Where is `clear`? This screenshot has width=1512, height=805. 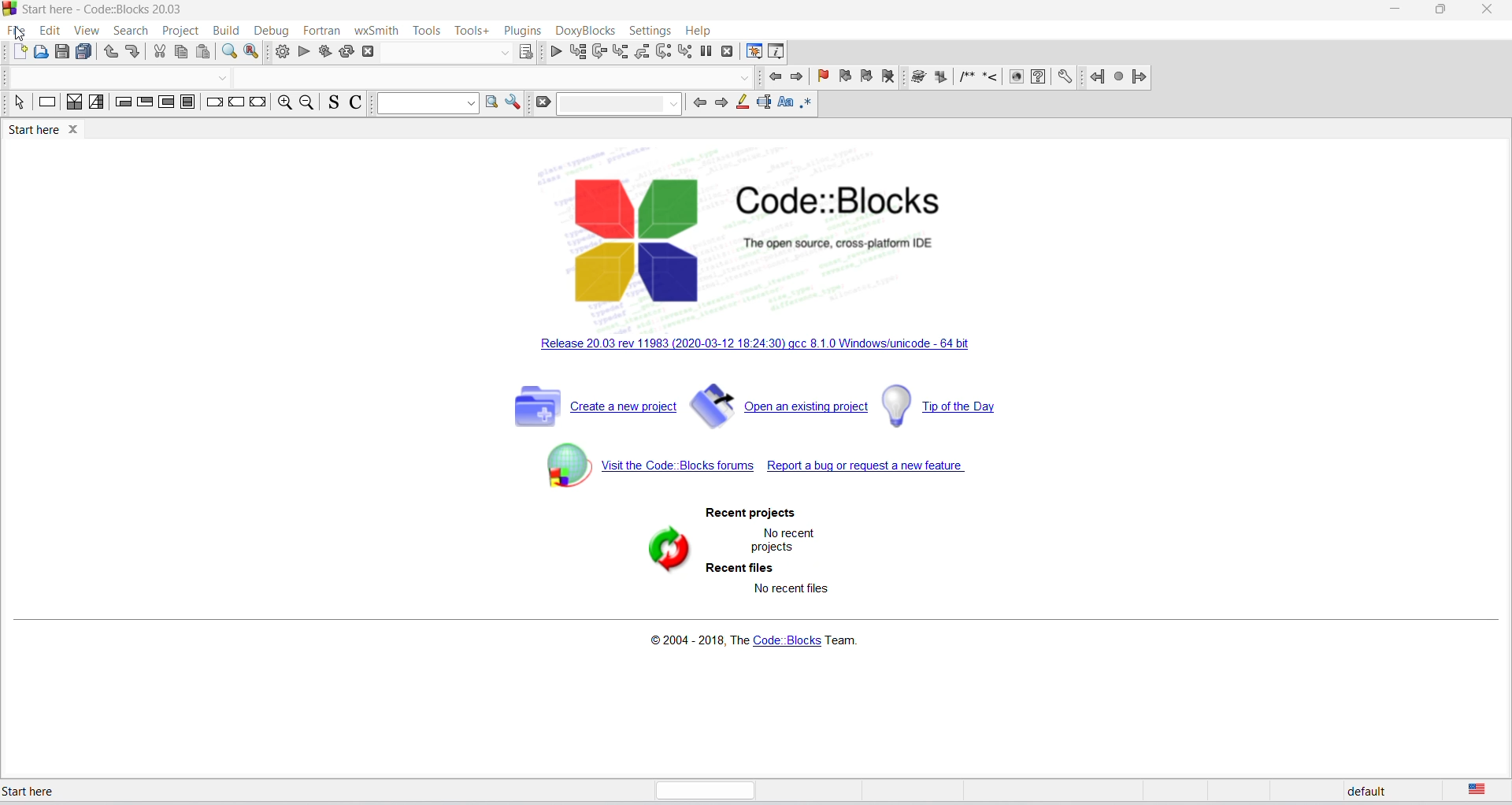
clear is located at coordinates (542, 106).